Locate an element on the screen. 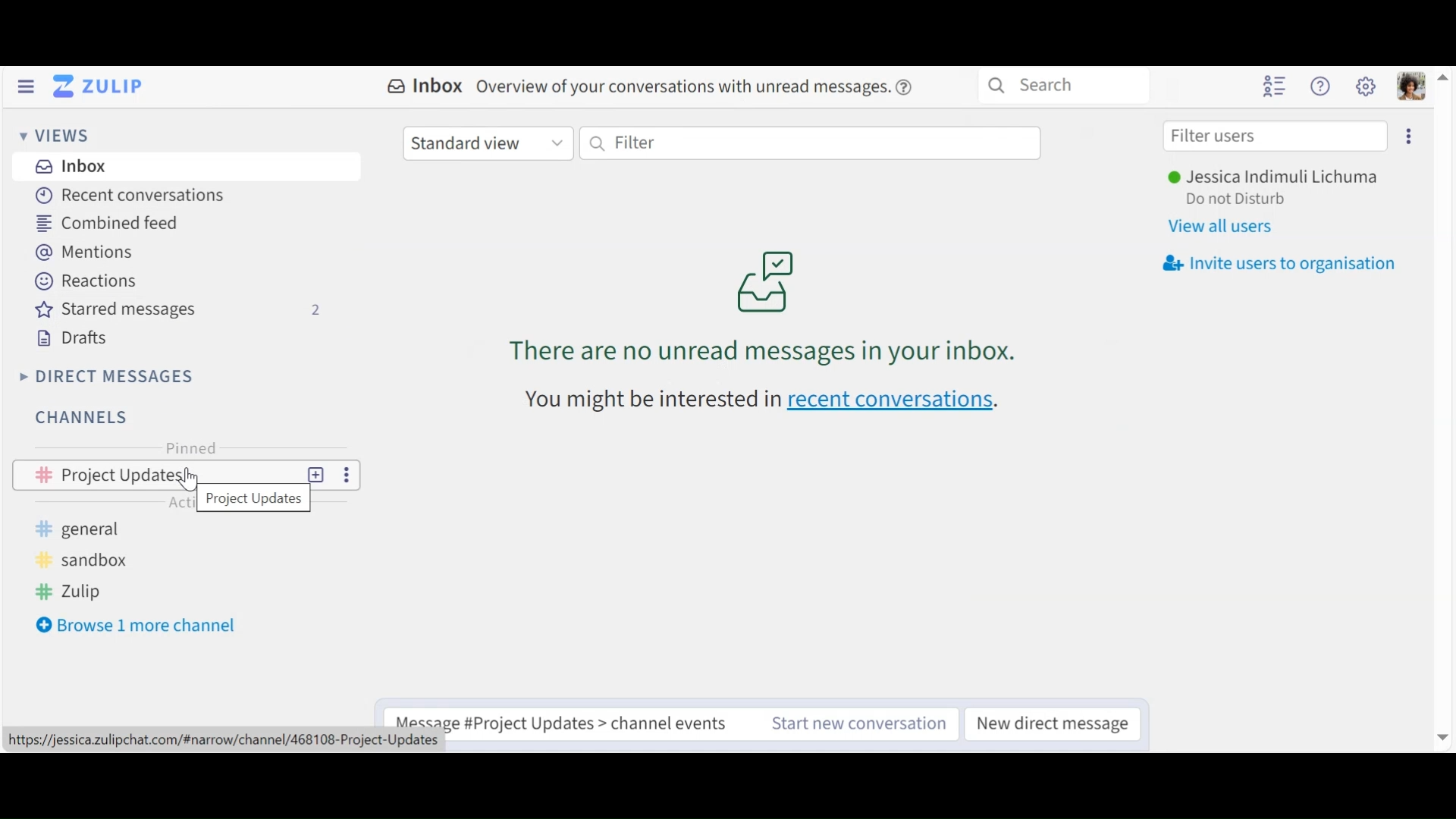 This screenshot has width=1456, height=819. Mentions is located at coordinates (88, 252).